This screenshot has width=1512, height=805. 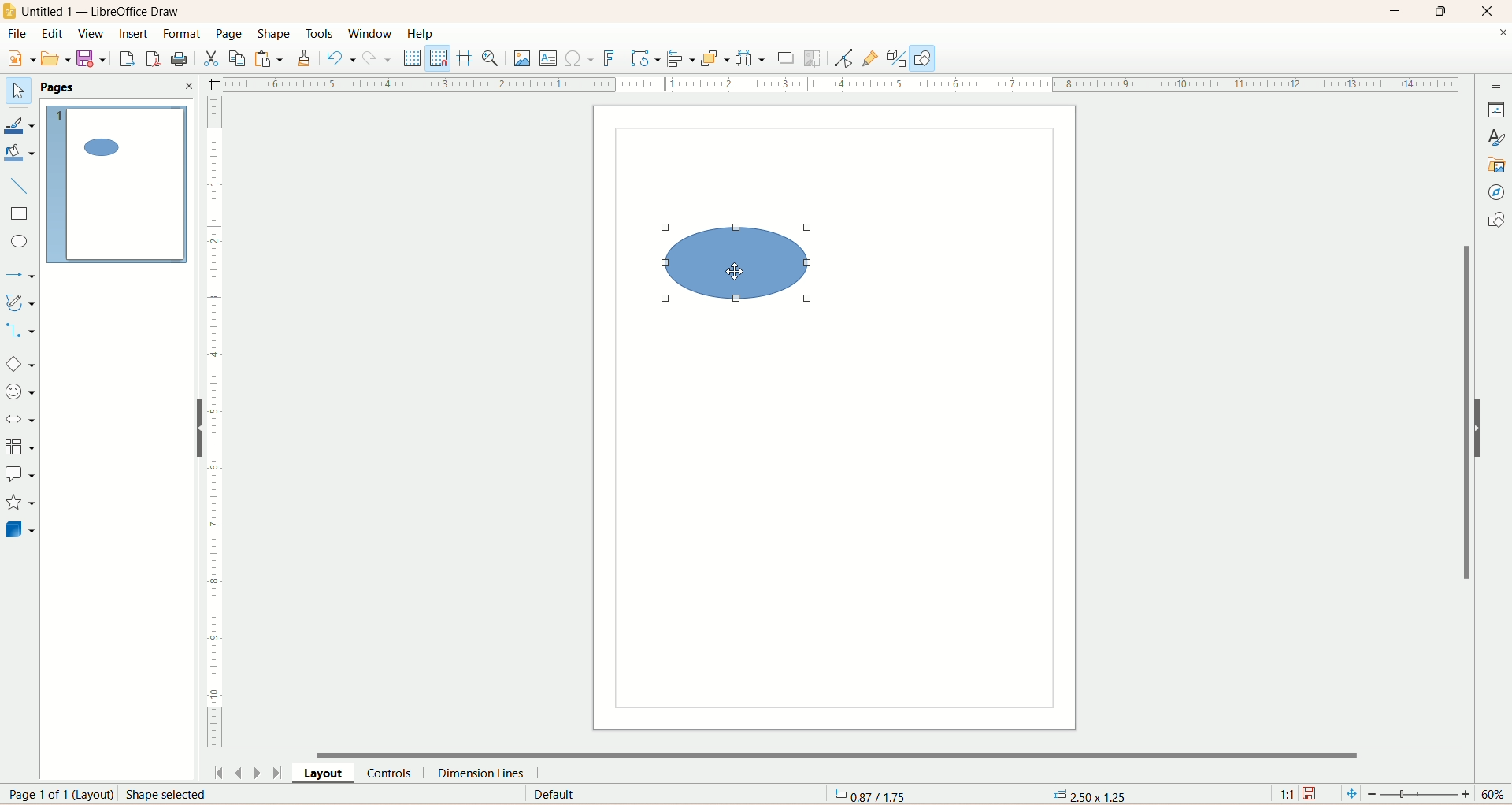 What do you see at coordinates (1499, 194) in the screenshot?
I see `navigator` at bounding box center [1499, 194].